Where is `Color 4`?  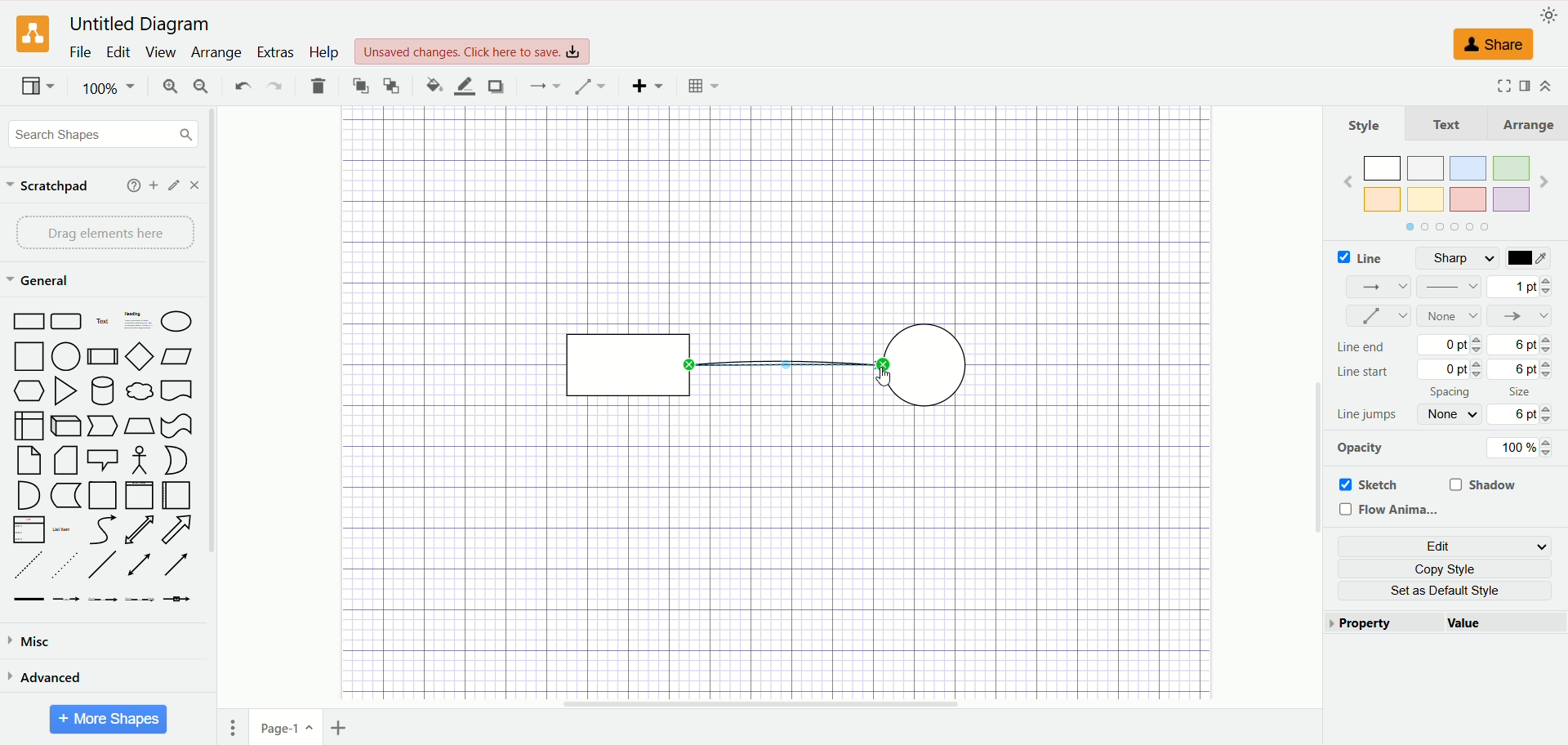
Color 4 is located at coordinates (1513, 169).